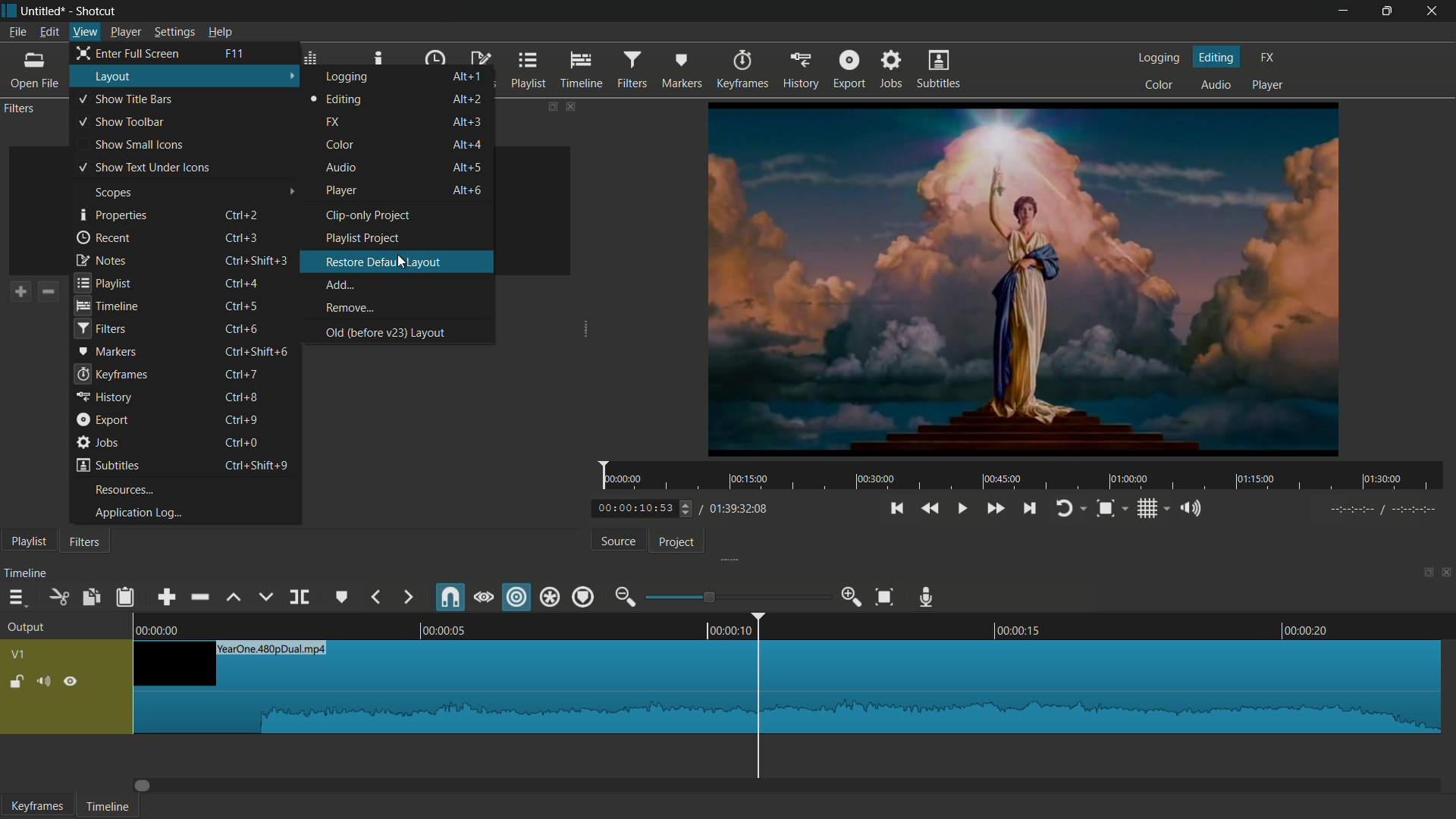 Image resolution: width=1456 pixels, height=819 pixels. Describe the element at coordinates (97, 11) in the screenshot. I see `app name` at that location.